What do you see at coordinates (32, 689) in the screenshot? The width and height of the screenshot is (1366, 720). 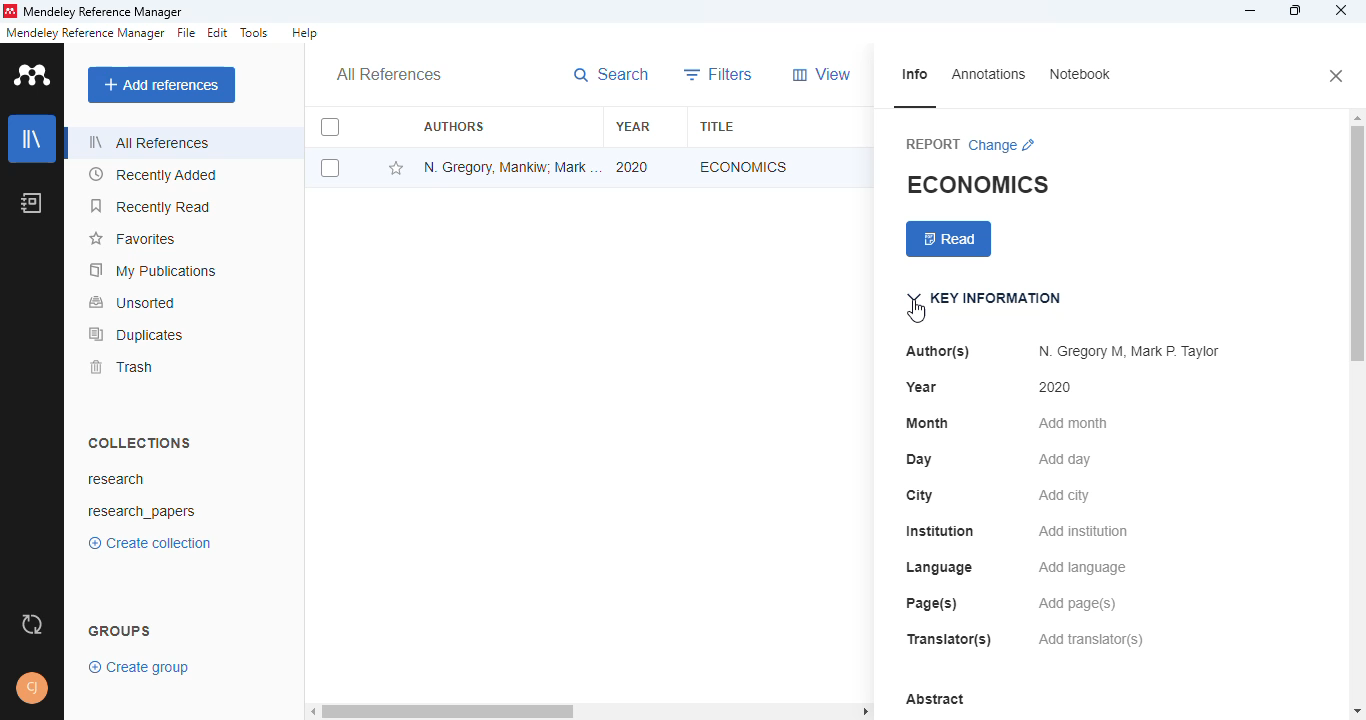 I see `profile` at bounding box center [32, 689].